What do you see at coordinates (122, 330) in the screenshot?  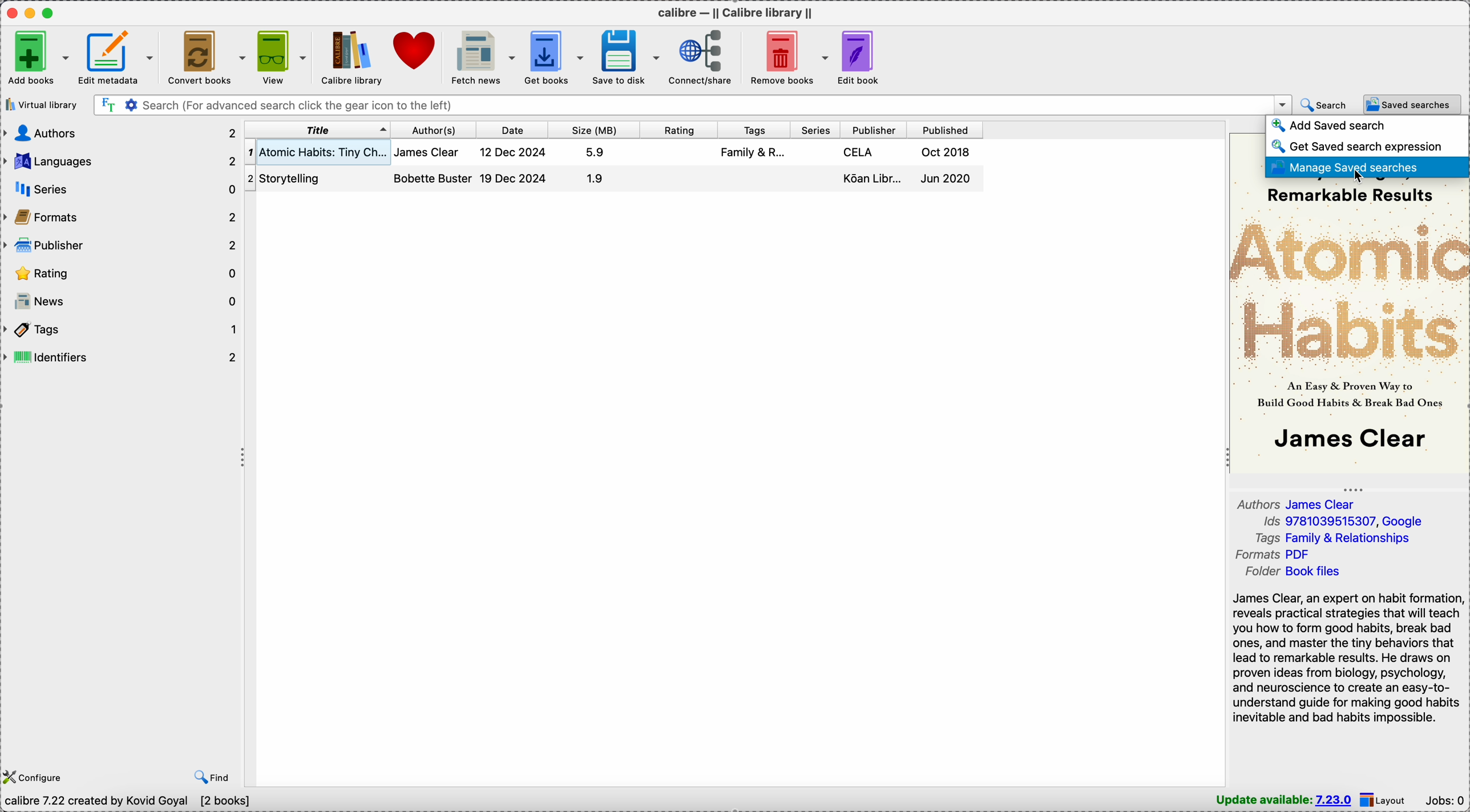 I see `tags` at bounding box center [122, 330].